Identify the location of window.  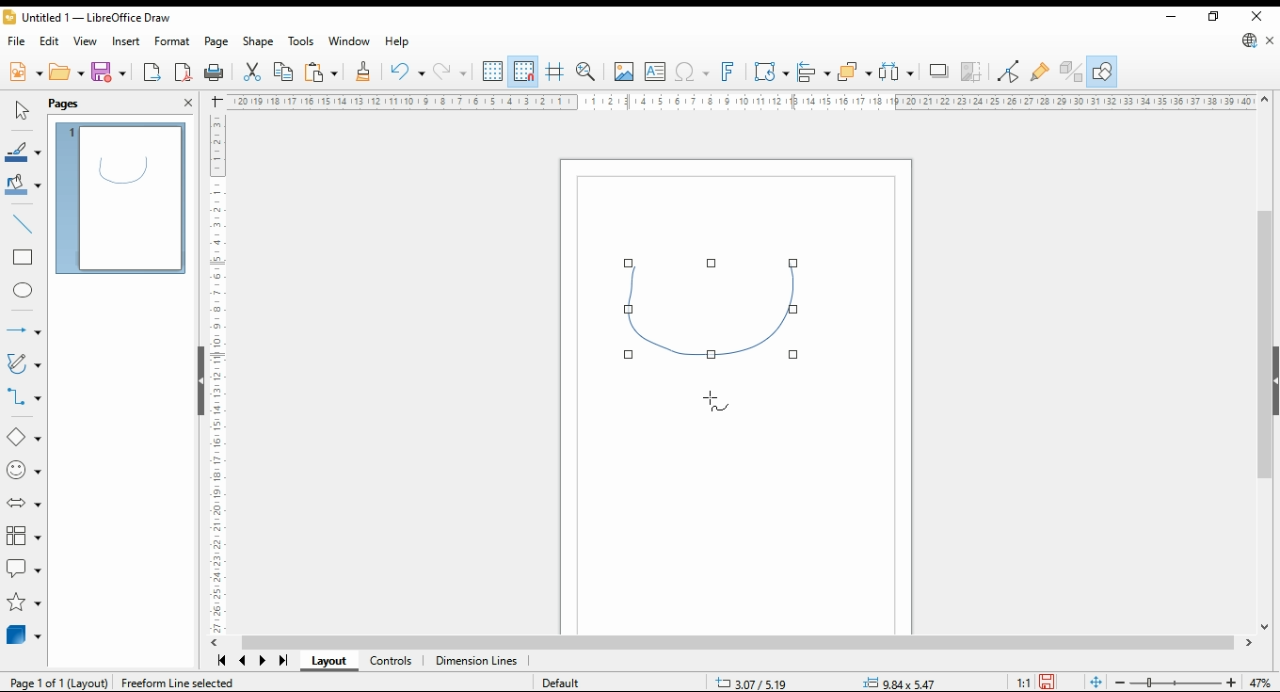
(349, 41).